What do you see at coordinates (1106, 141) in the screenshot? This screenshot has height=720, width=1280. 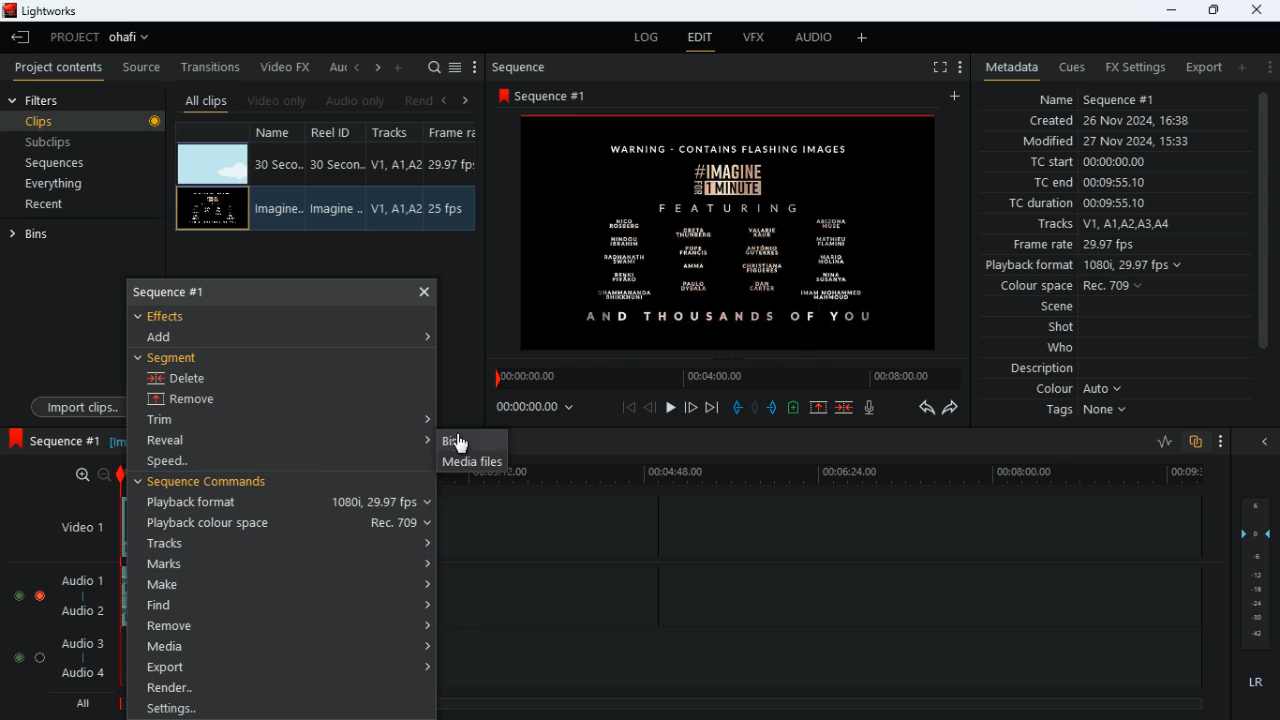 I see `modified` at bounding box center [1106, 141].